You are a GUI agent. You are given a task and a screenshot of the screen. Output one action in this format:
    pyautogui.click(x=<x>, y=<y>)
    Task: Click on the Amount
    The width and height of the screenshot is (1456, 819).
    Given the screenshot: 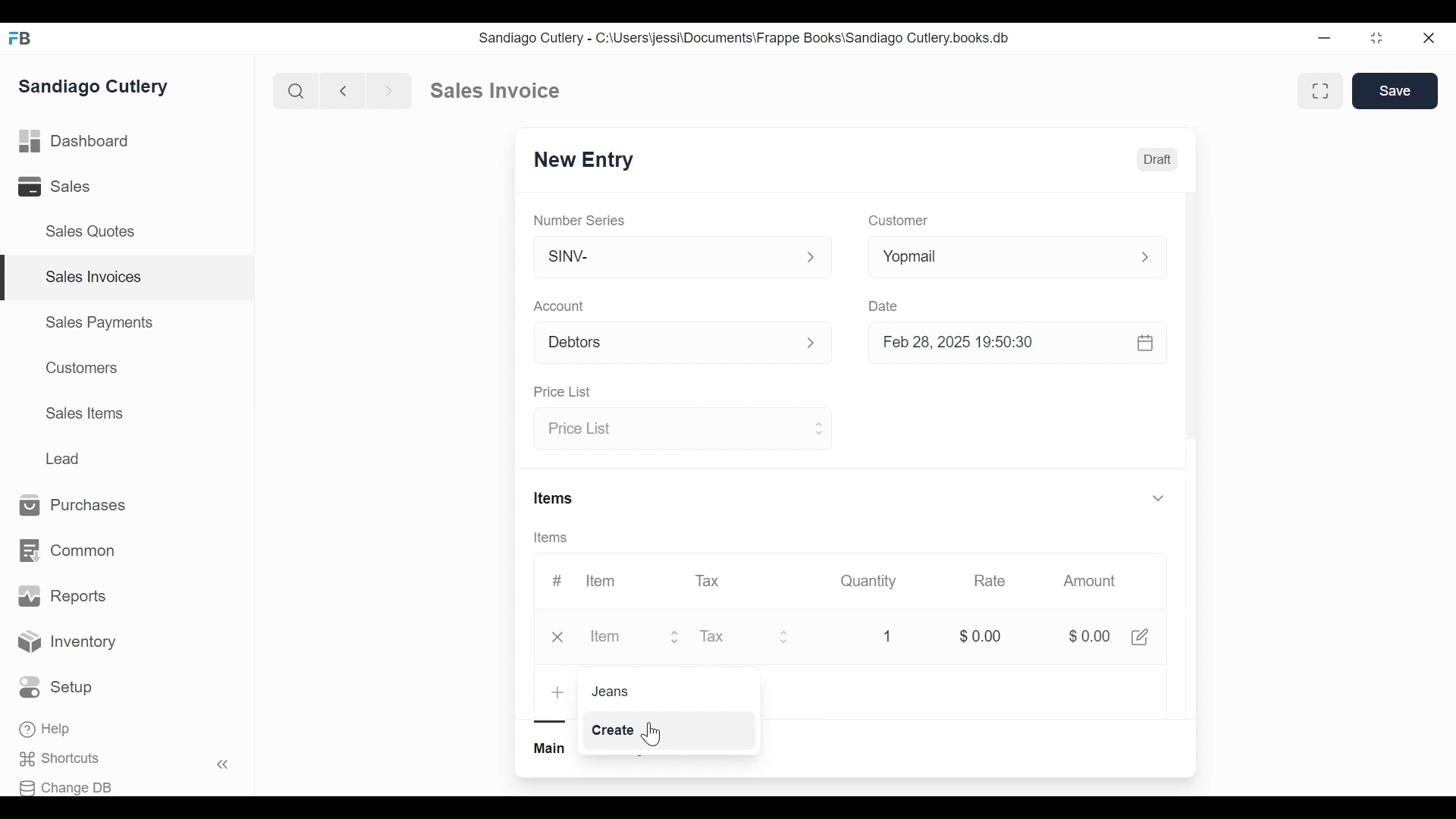 What is the action you would take?
    pyautogui.click(x=1090, y=581)
    